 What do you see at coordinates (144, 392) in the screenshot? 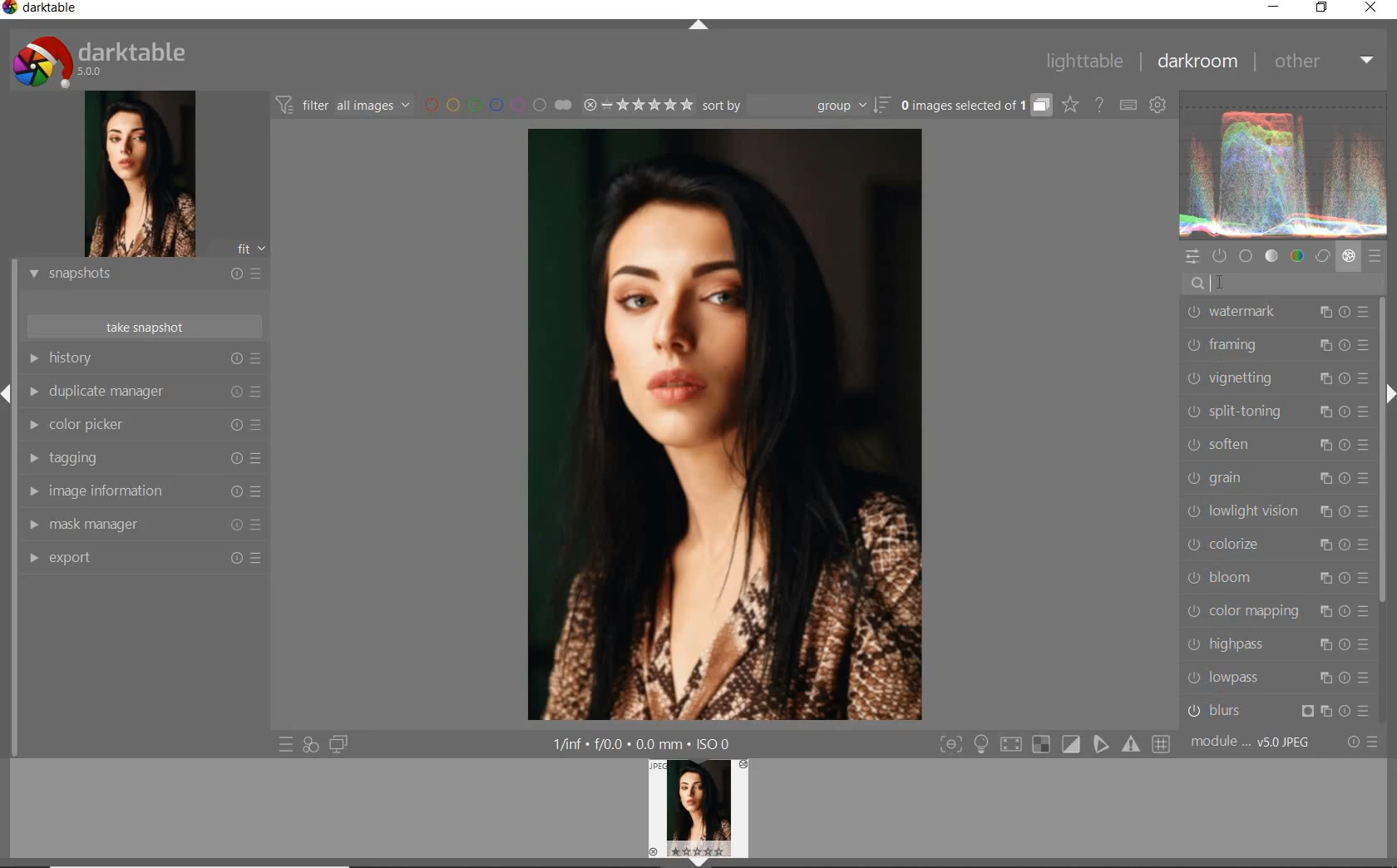
I see `duplicate manager` at bounding box center [144, 392].